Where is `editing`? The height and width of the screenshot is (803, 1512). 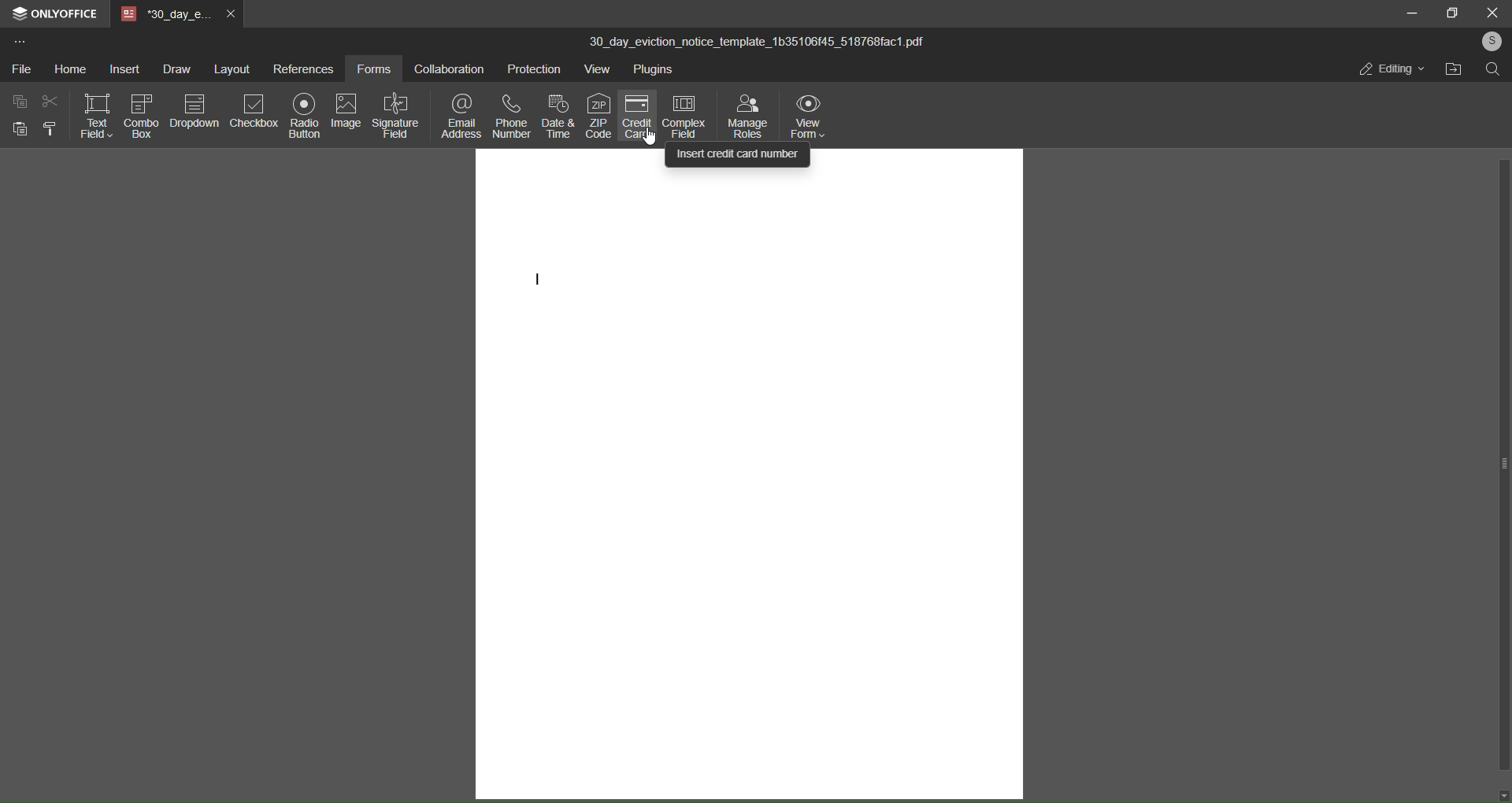
editing is located at coordinates (1388, 68).